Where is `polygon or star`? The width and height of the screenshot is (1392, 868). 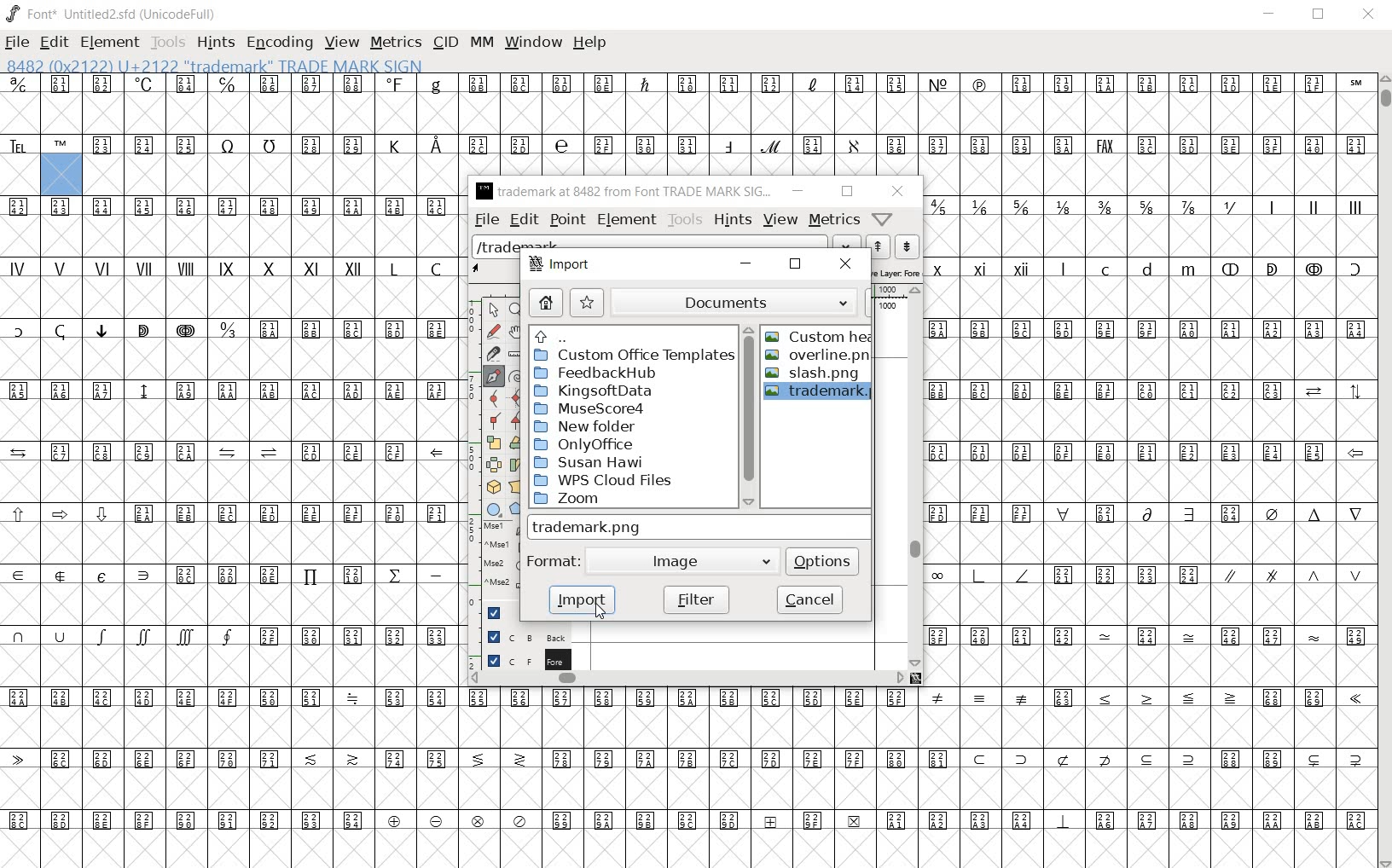 polygon or star is located at coordinates (515, 508).